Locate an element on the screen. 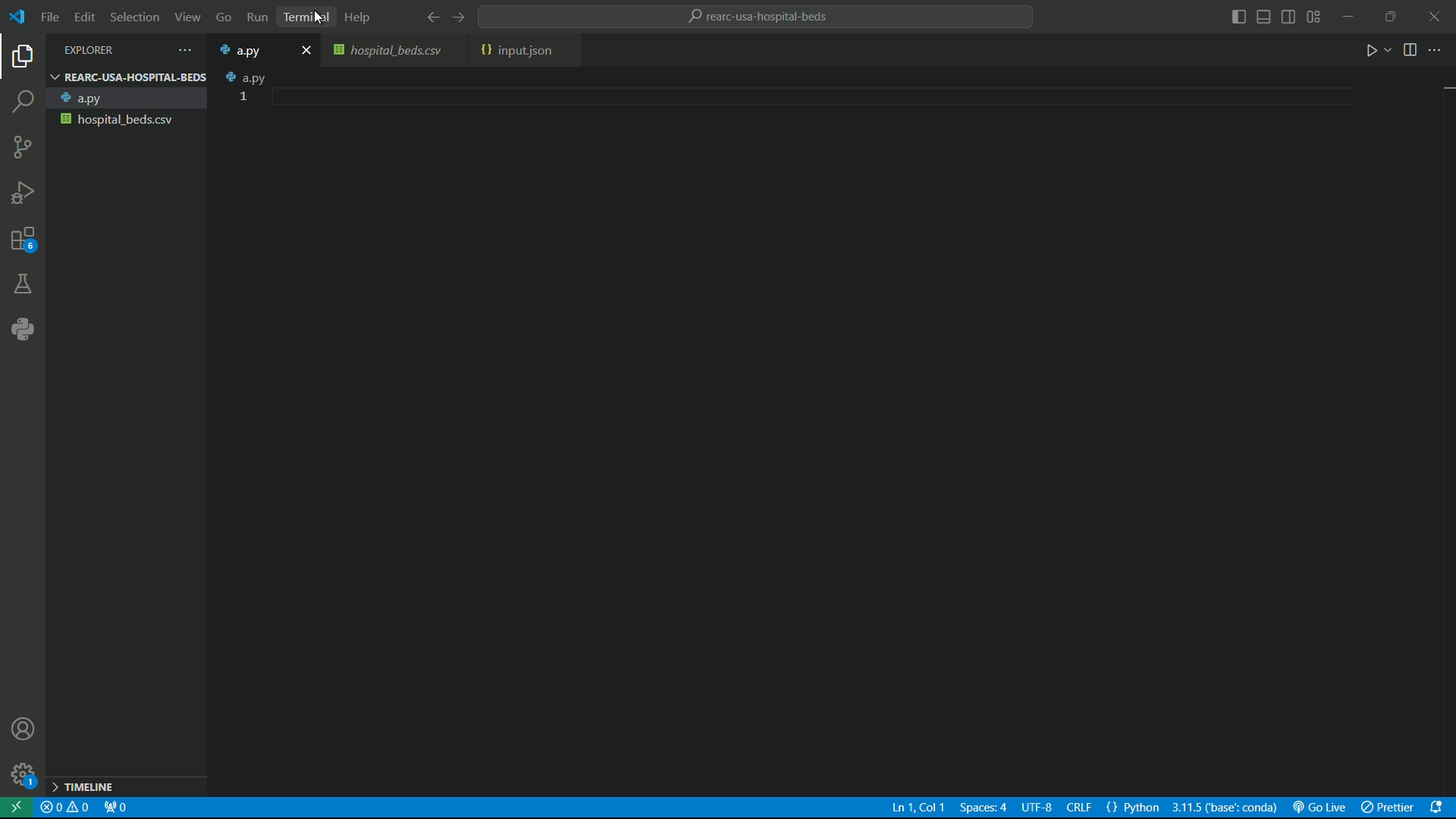 The width and height of the screenshot is (1456, 819). source control is located at coordinates (20, 146).